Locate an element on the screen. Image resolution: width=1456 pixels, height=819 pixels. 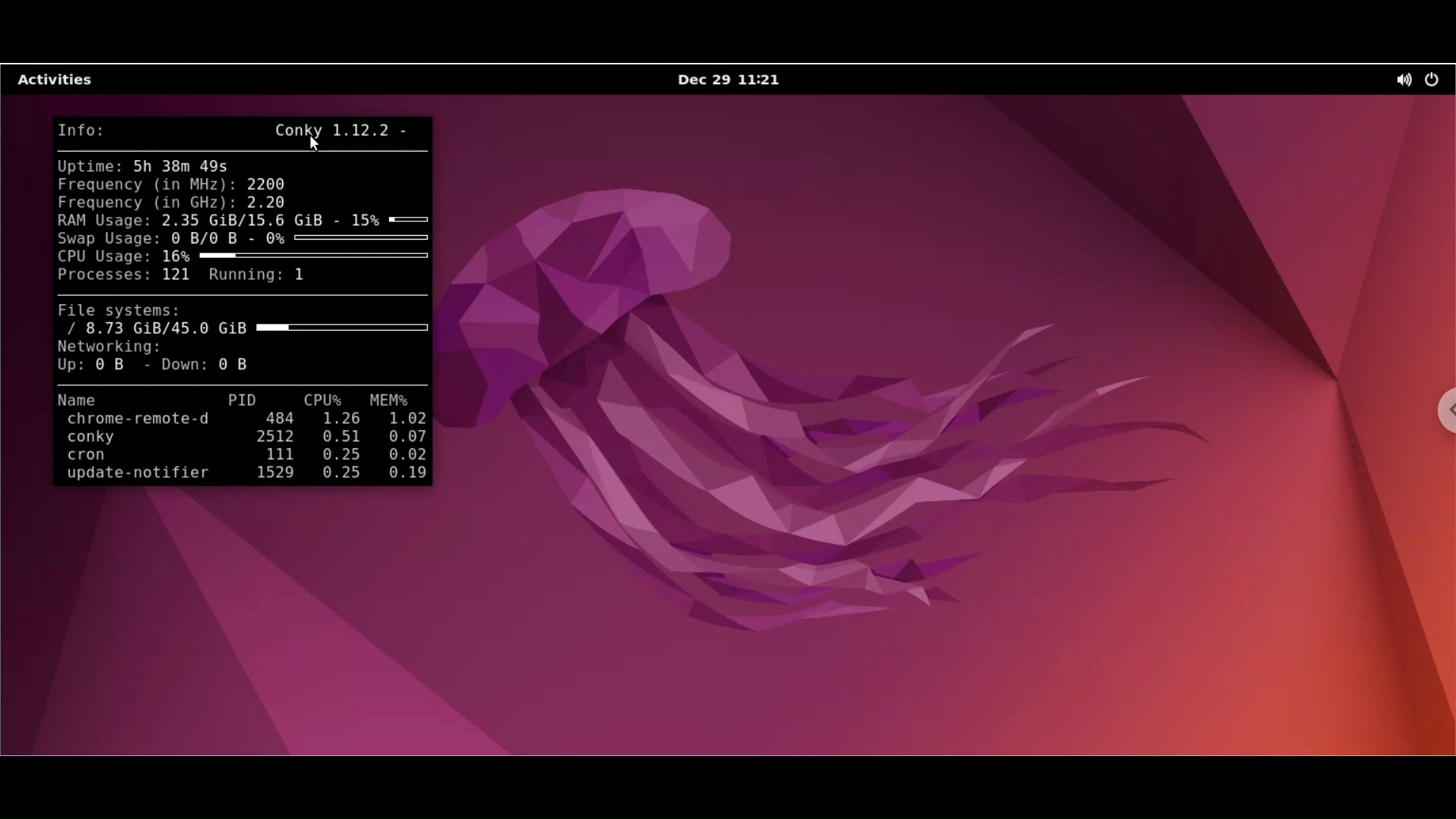
sound options is located at coordinates (1401, 83).